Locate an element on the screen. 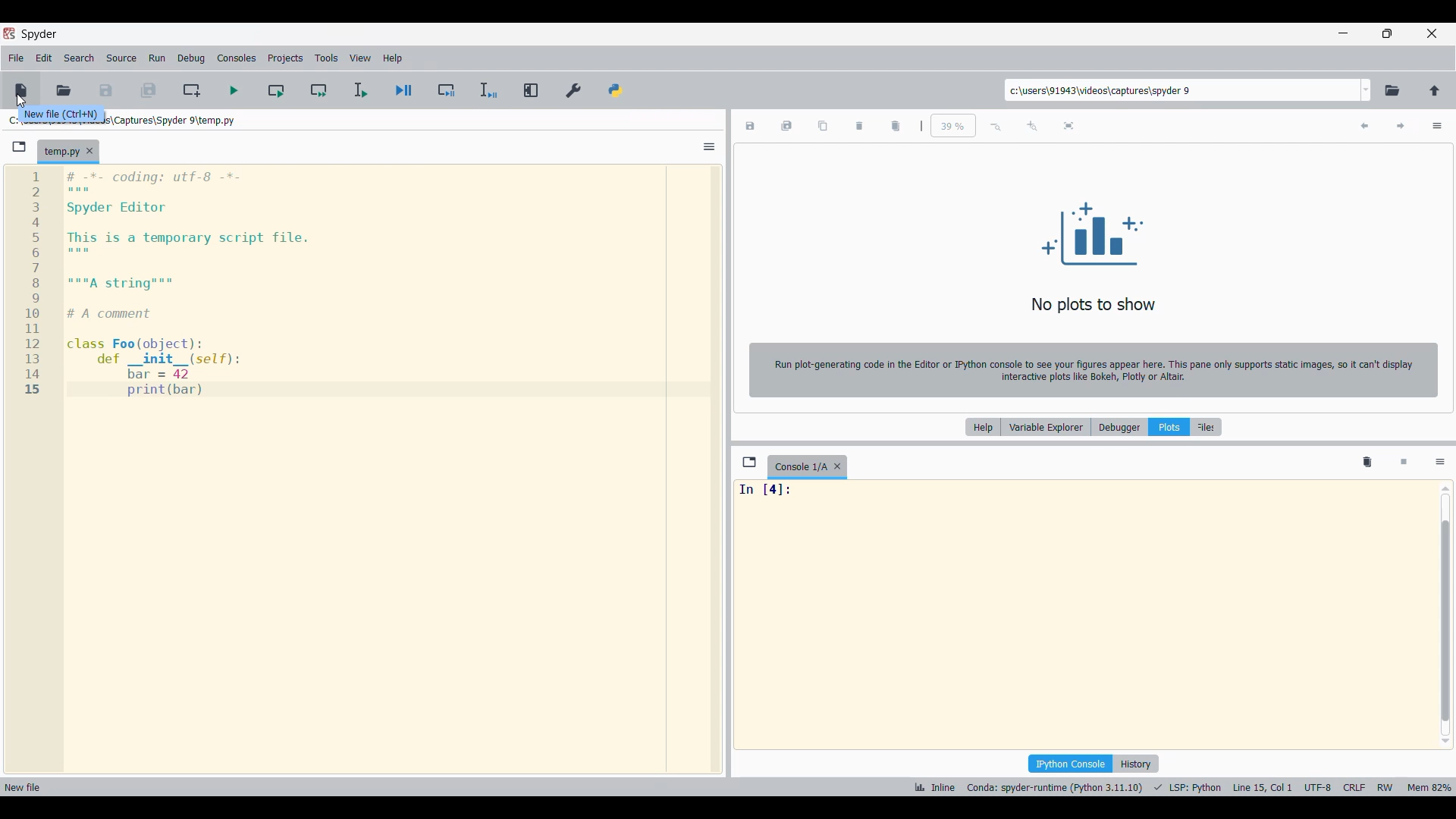  Browse tabs is located at coordinates (749, 462).